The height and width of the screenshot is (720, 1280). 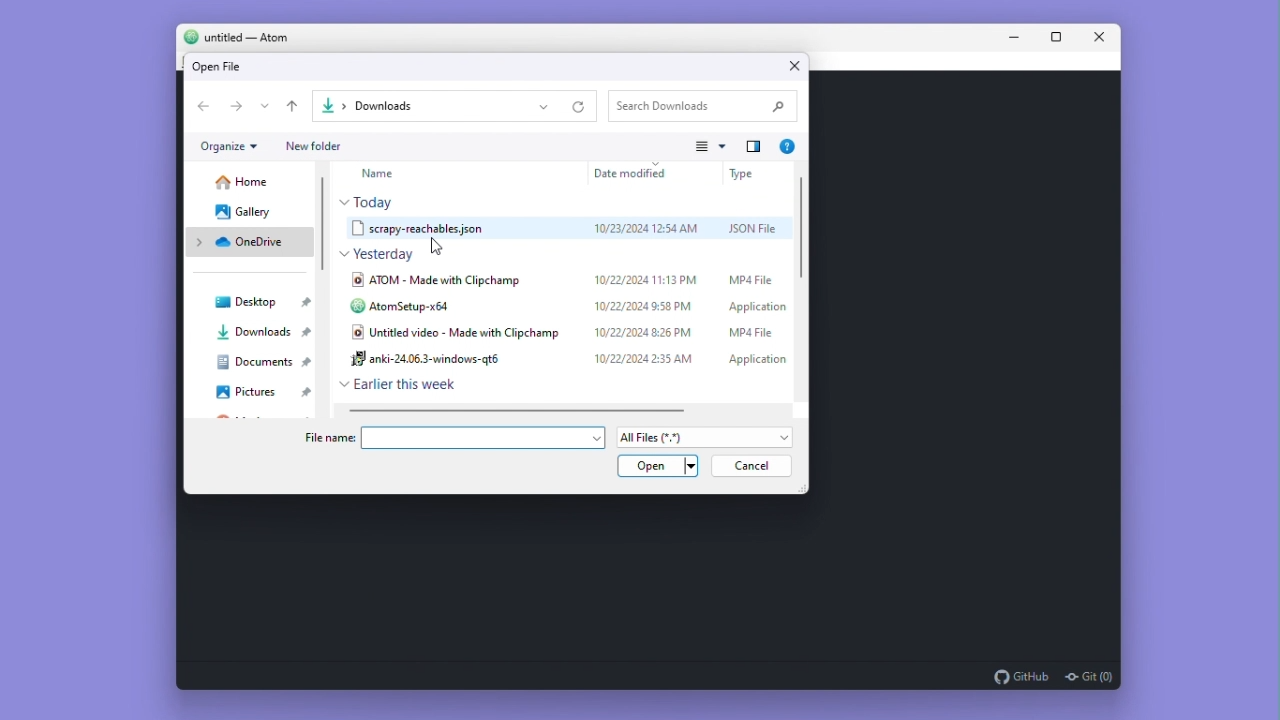 I want to click on Organize, so click(x=232, y=146).